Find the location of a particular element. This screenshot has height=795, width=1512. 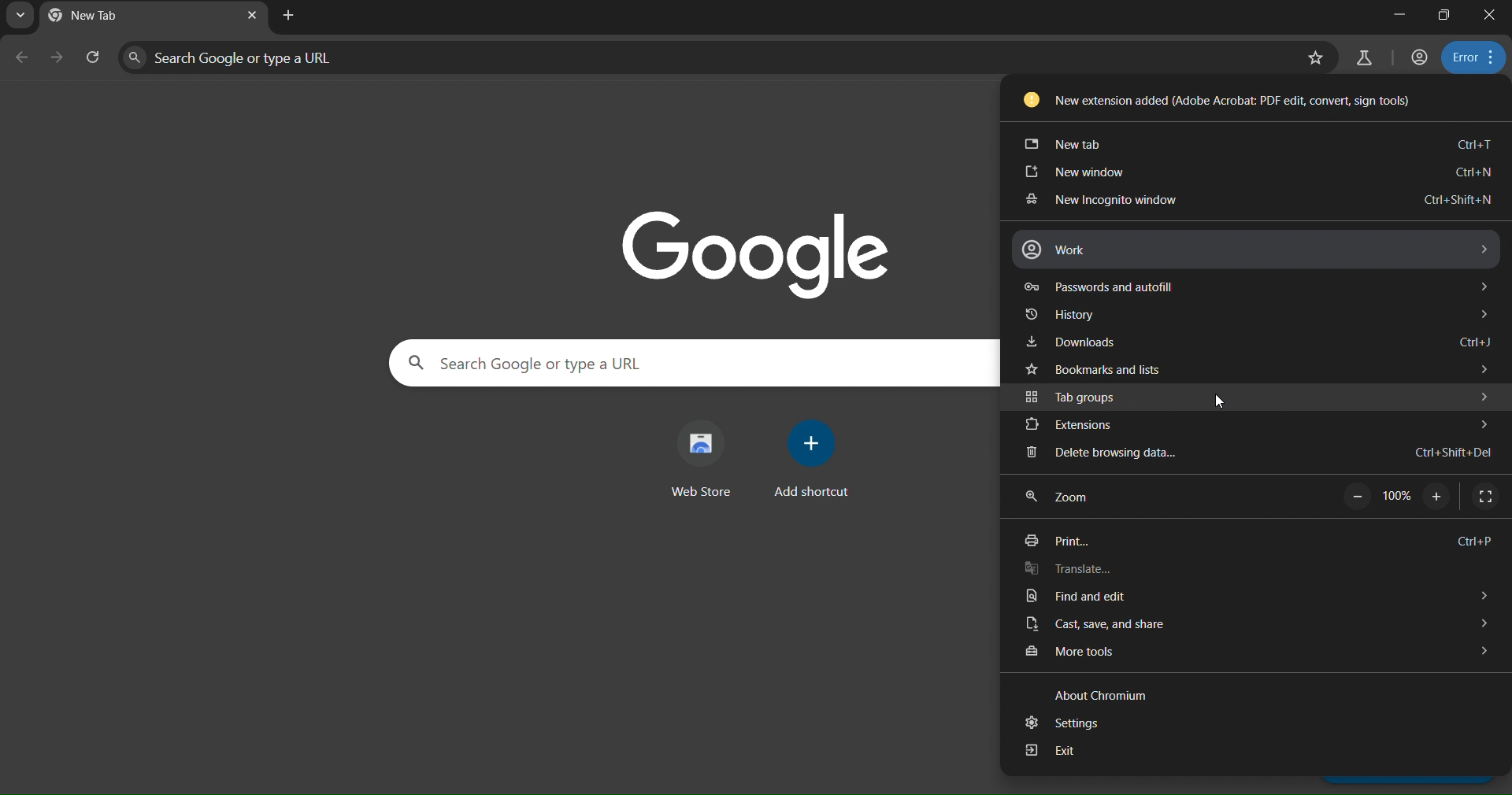

zoom out is located at coordinates (1357, 497).